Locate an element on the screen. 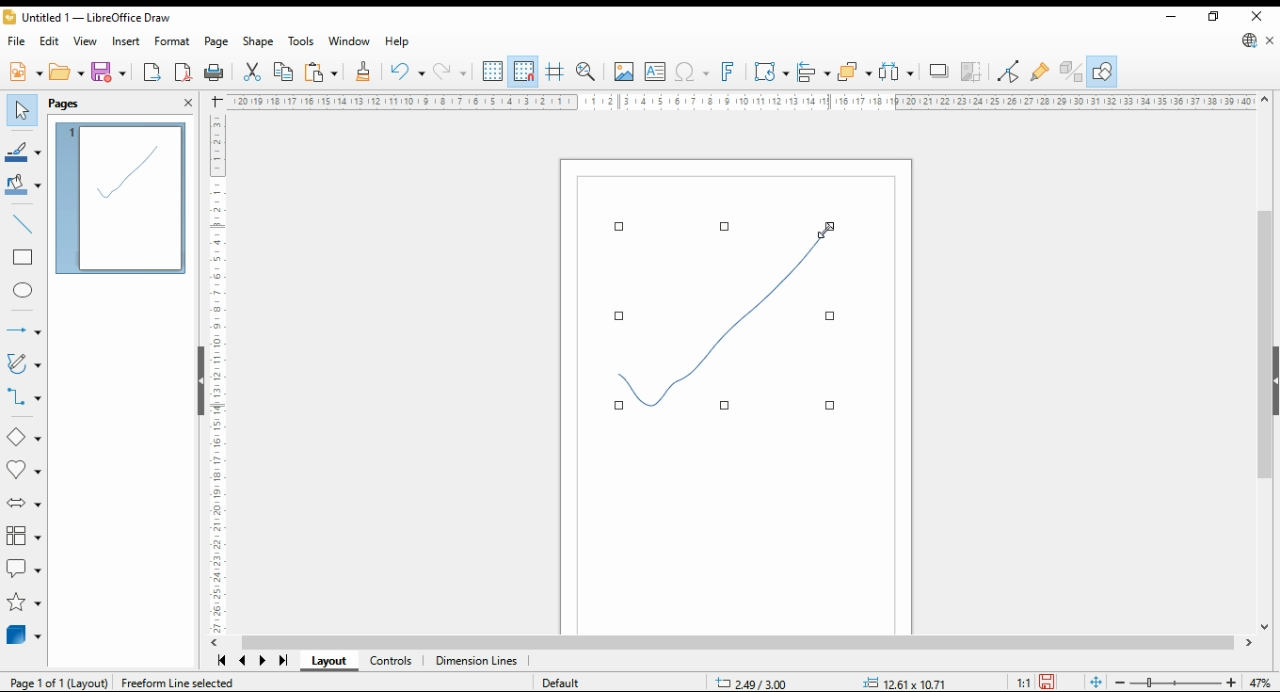  close pane is located at coordinates (190, 101).